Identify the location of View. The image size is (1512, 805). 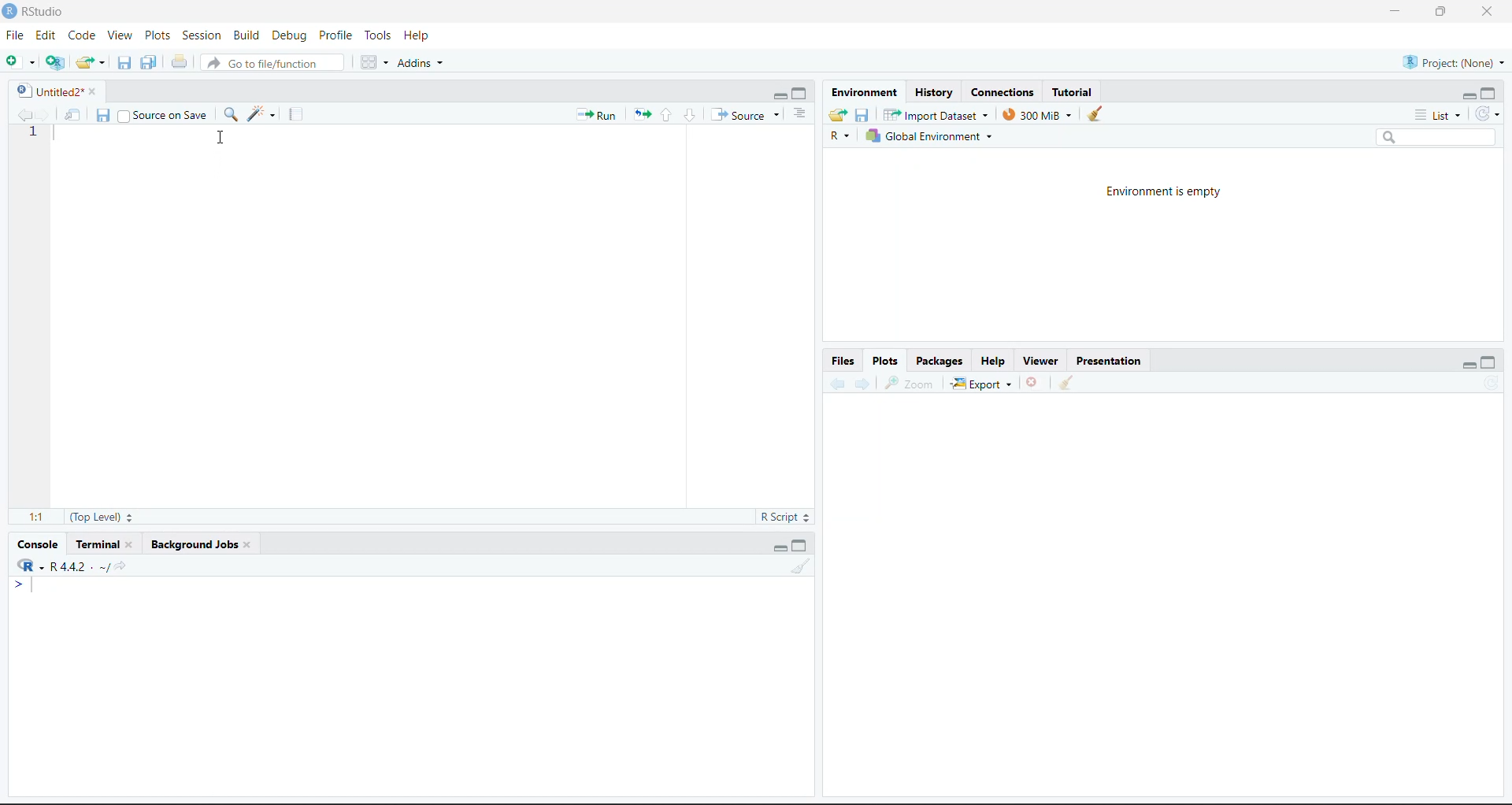
(119, 35).